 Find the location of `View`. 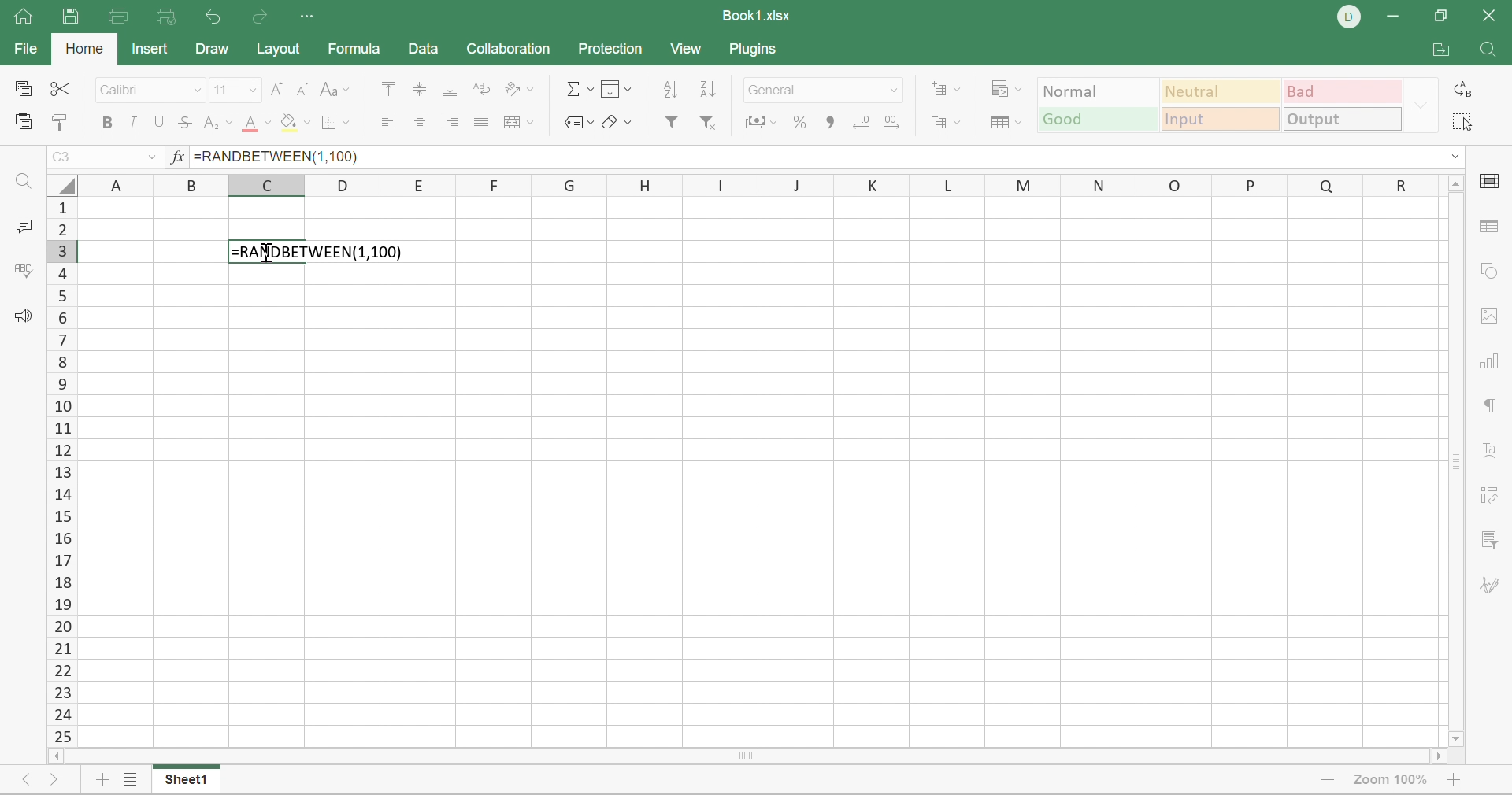

View is located at coordinates (687, 48).